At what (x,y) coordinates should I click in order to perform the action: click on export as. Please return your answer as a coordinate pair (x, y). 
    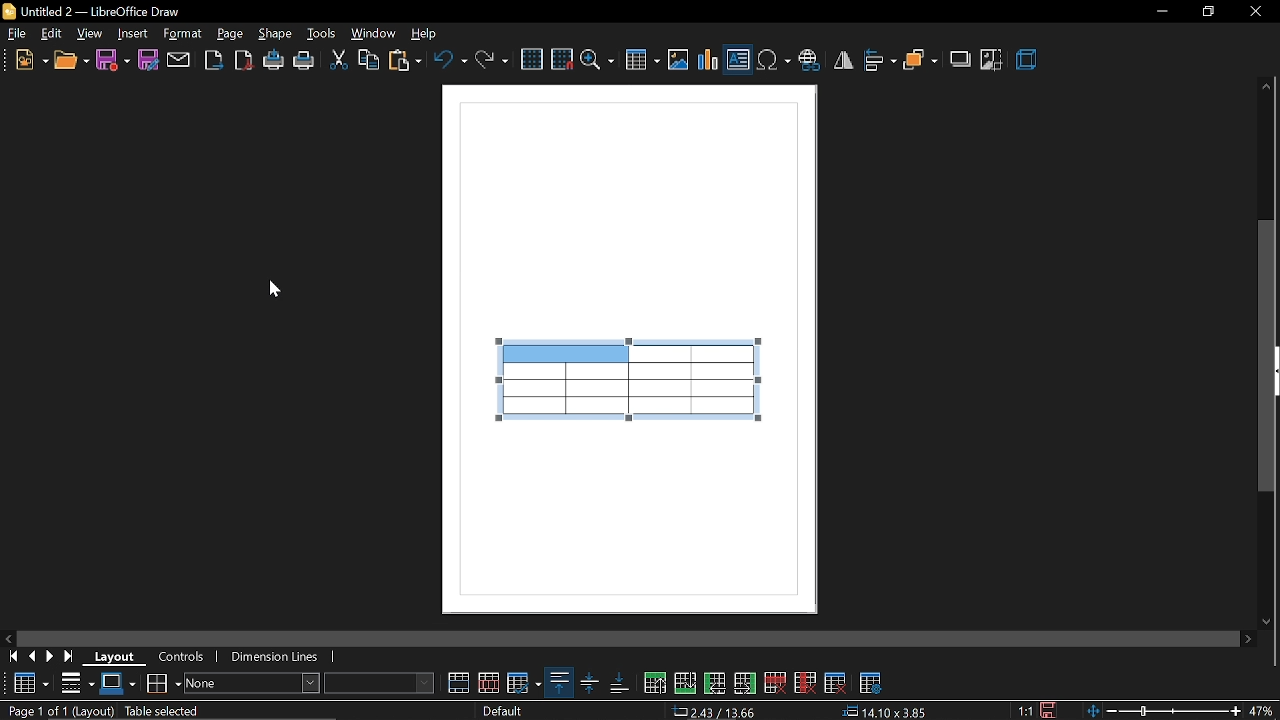
    Looking at the image, I should click on (214, 61).